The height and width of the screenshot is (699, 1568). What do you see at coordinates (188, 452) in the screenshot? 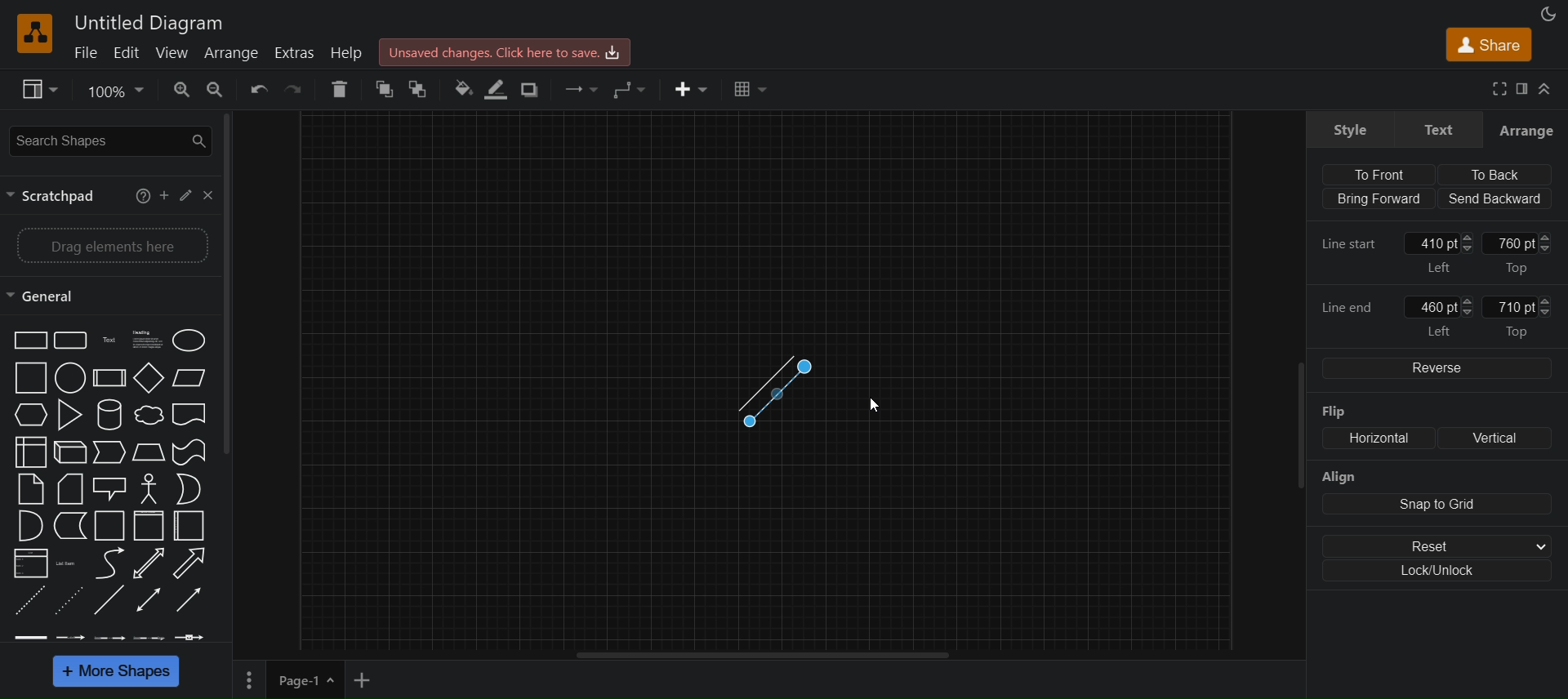
I see `Tape` at bounding box center [188, 452].